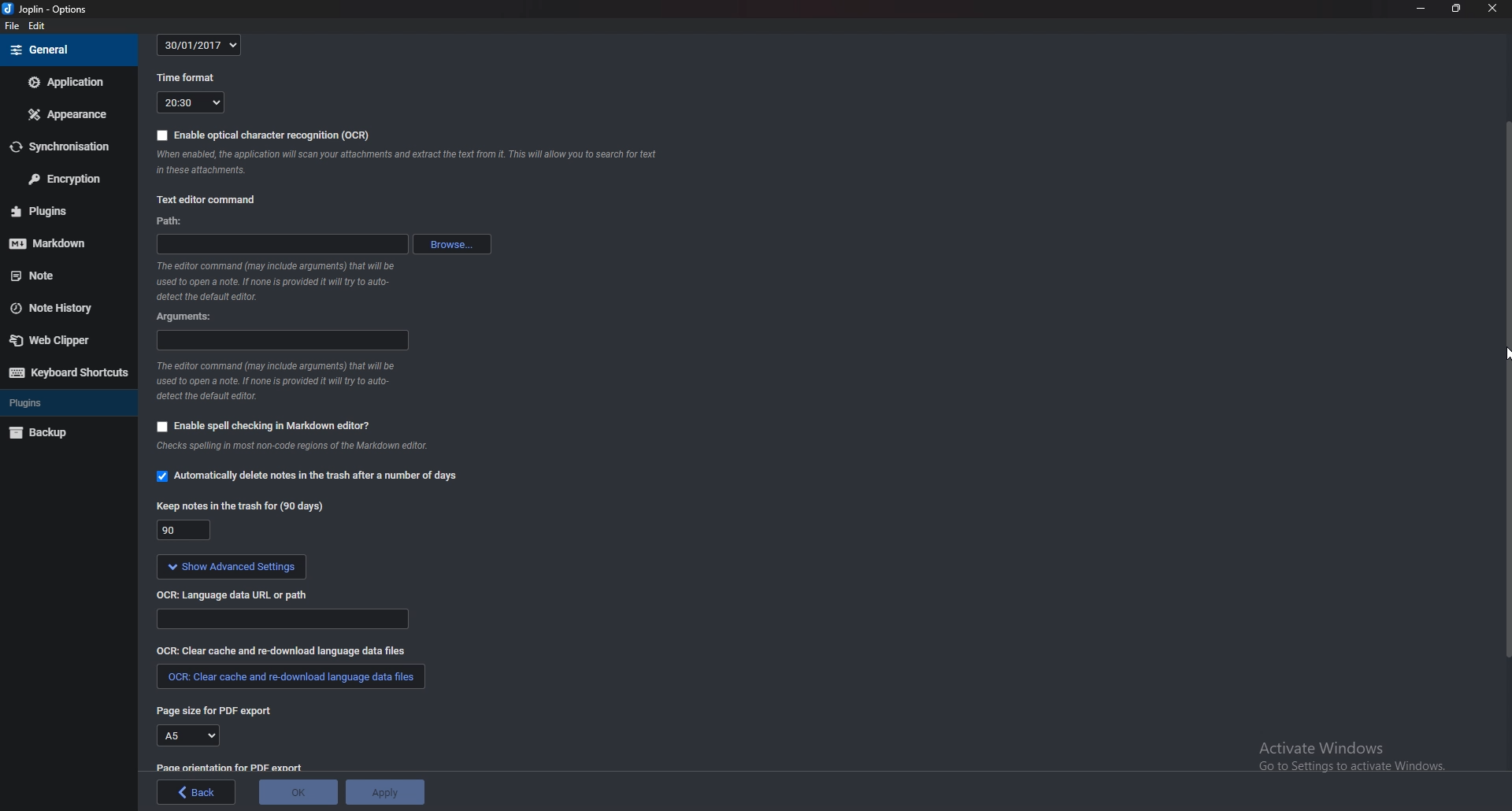 This screenshot has width=1512, height=811. I want to click on Resize, so click(1456, 9).